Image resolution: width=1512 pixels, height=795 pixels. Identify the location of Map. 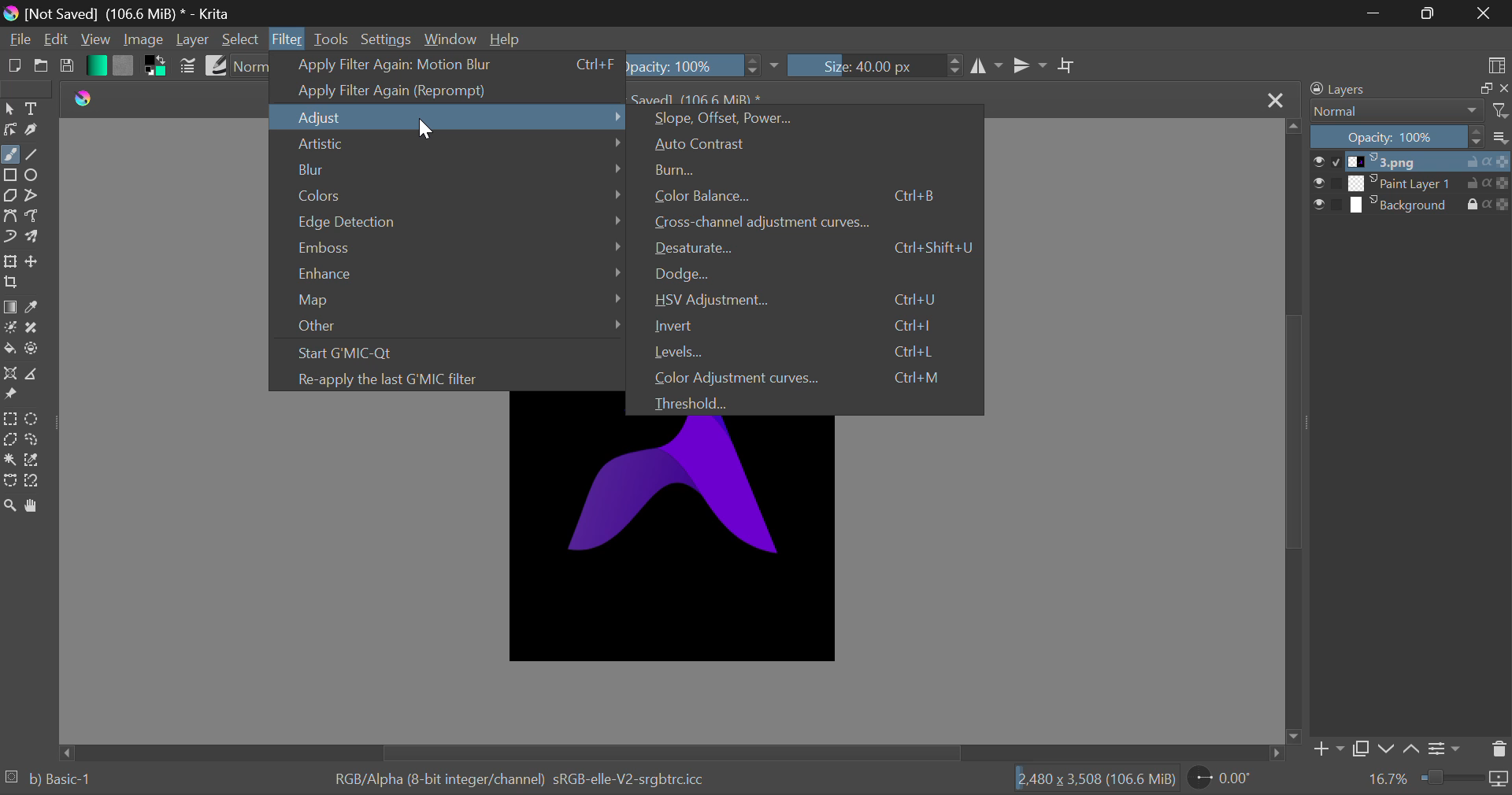
(455, 297).